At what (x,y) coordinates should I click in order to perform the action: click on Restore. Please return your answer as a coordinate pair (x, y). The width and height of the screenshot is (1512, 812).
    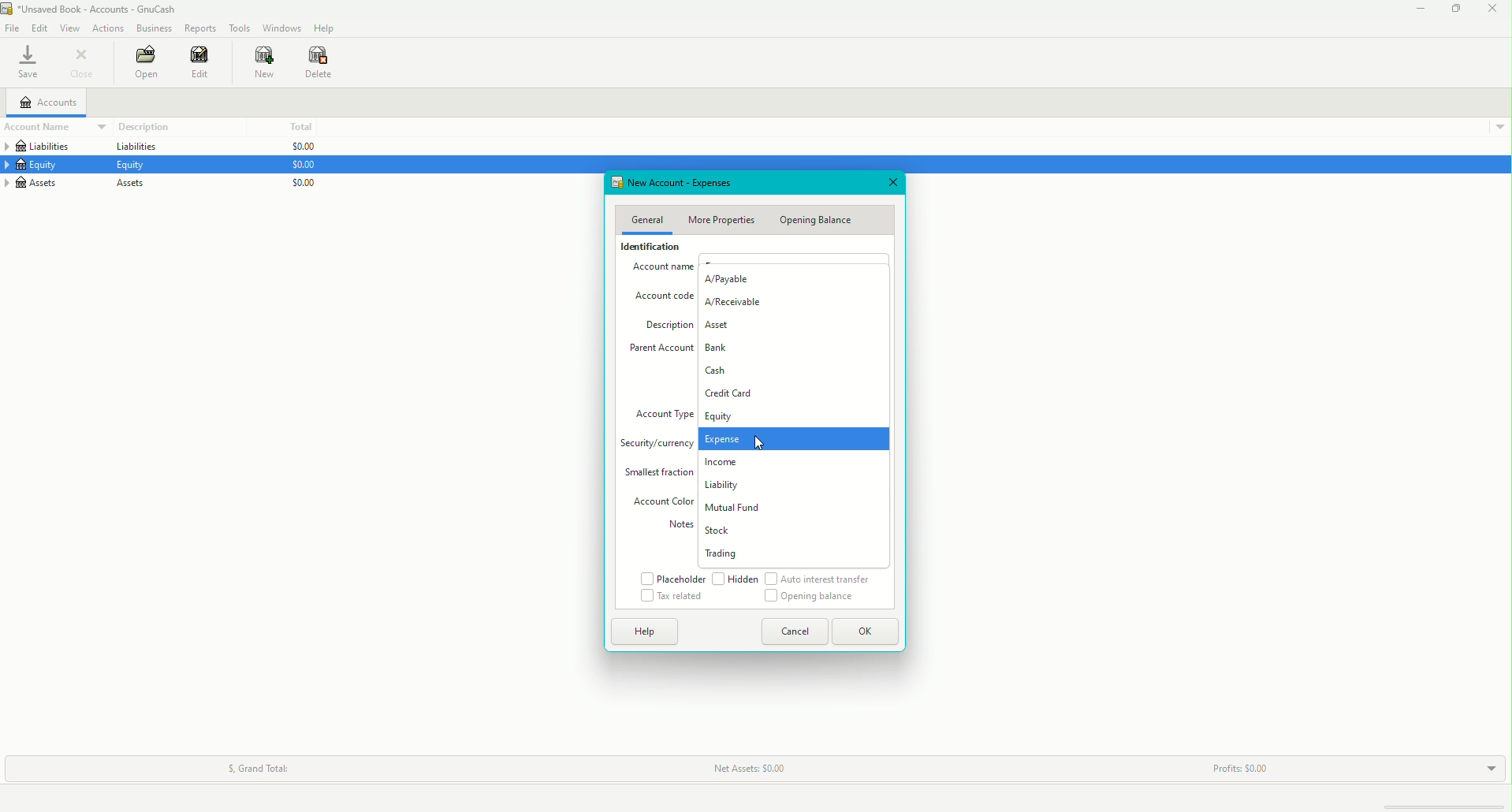
    Looking at the image, I should click on (1455, 12).